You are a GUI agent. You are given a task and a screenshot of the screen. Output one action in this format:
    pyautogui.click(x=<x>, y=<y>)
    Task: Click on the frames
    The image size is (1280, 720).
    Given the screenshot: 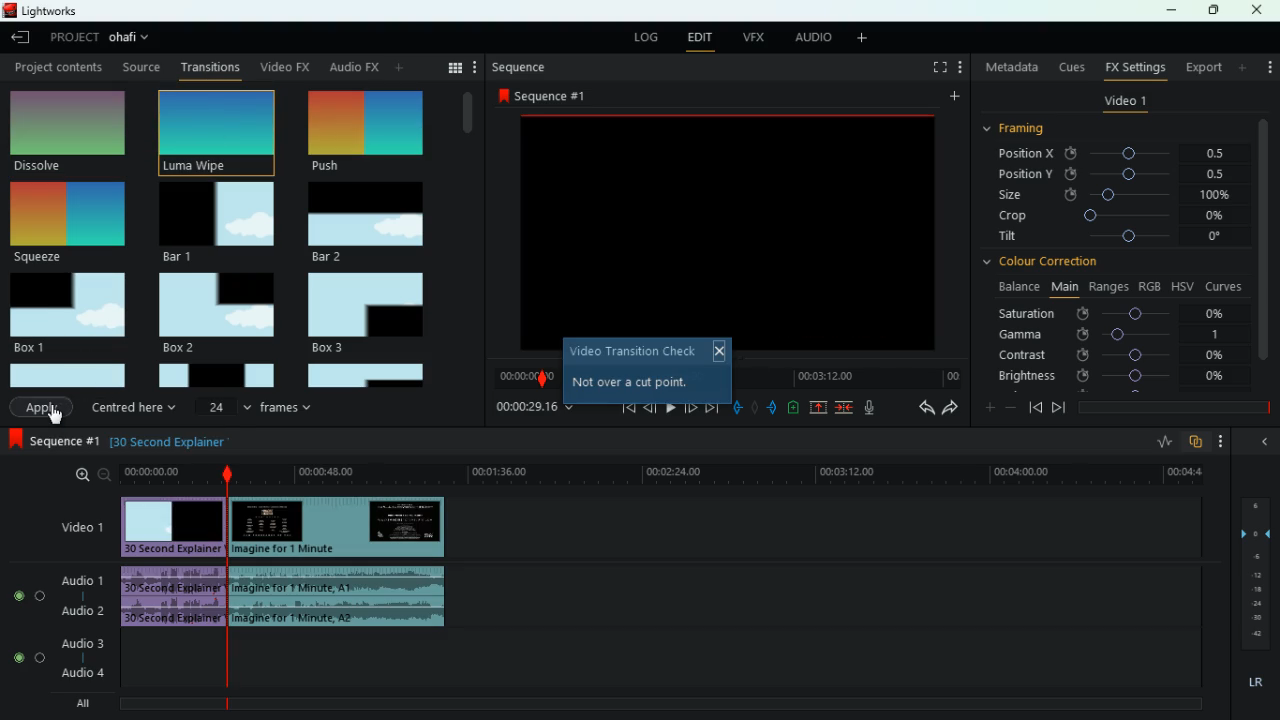 What is the action you would take?
    pyautogui.click(x=289, y=406)
    